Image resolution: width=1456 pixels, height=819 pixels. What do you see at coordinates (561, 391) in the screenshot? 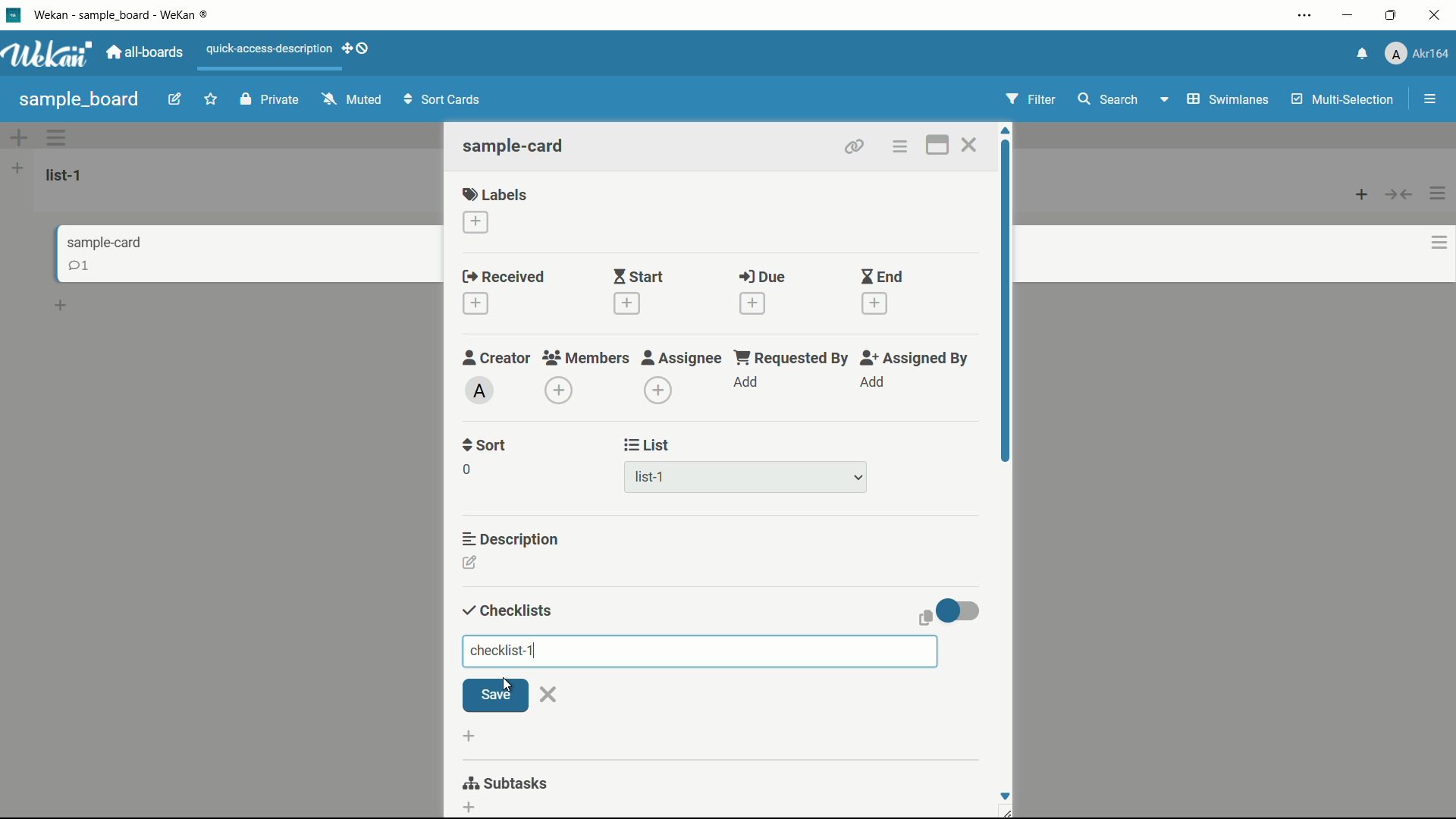
I see `add member` at bounding box center [561, 391].